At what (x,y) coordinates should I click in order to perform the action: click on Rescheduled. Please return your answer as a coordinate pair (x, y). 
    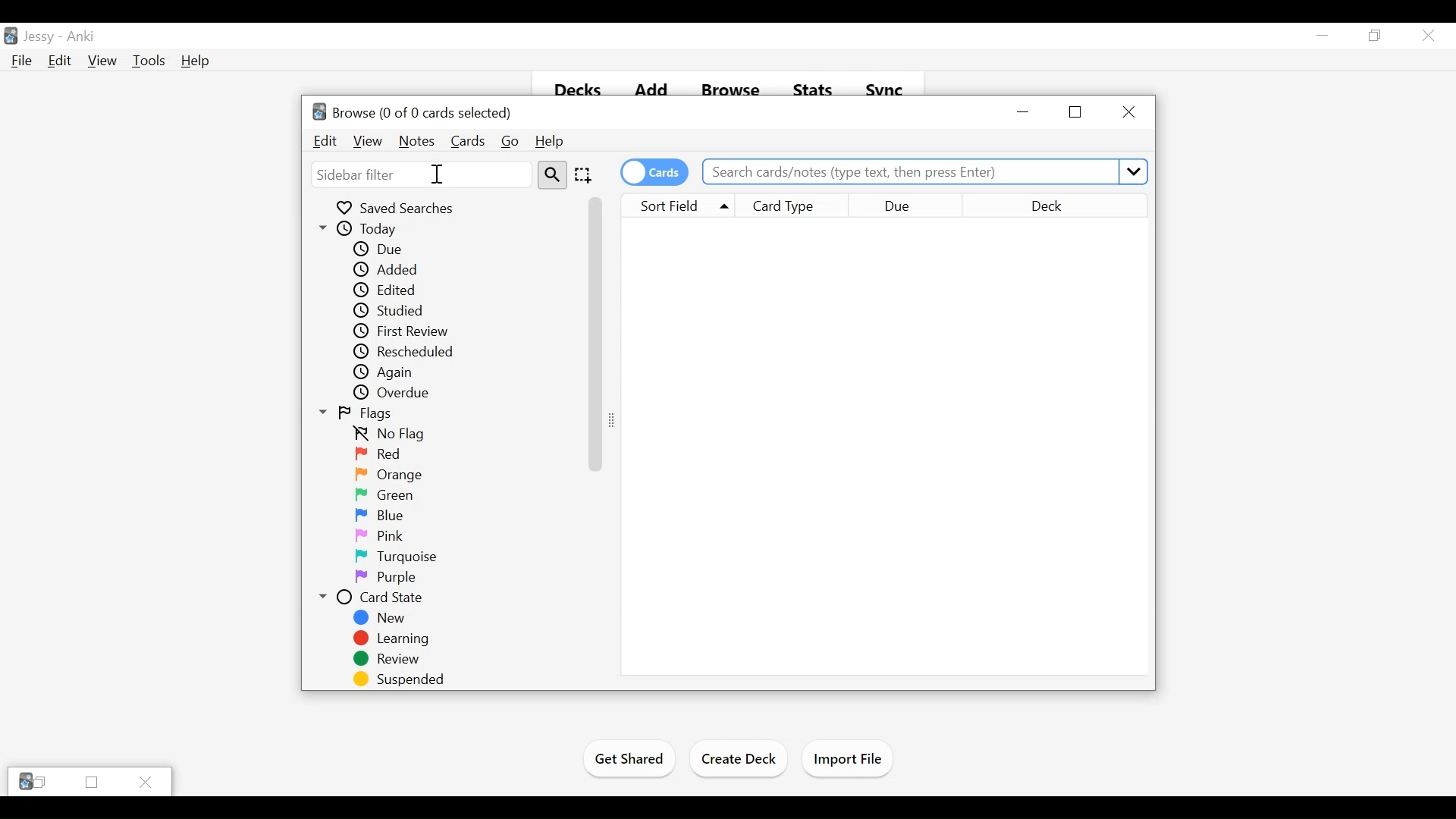
    Looking at the image, I should click on (406, 352).